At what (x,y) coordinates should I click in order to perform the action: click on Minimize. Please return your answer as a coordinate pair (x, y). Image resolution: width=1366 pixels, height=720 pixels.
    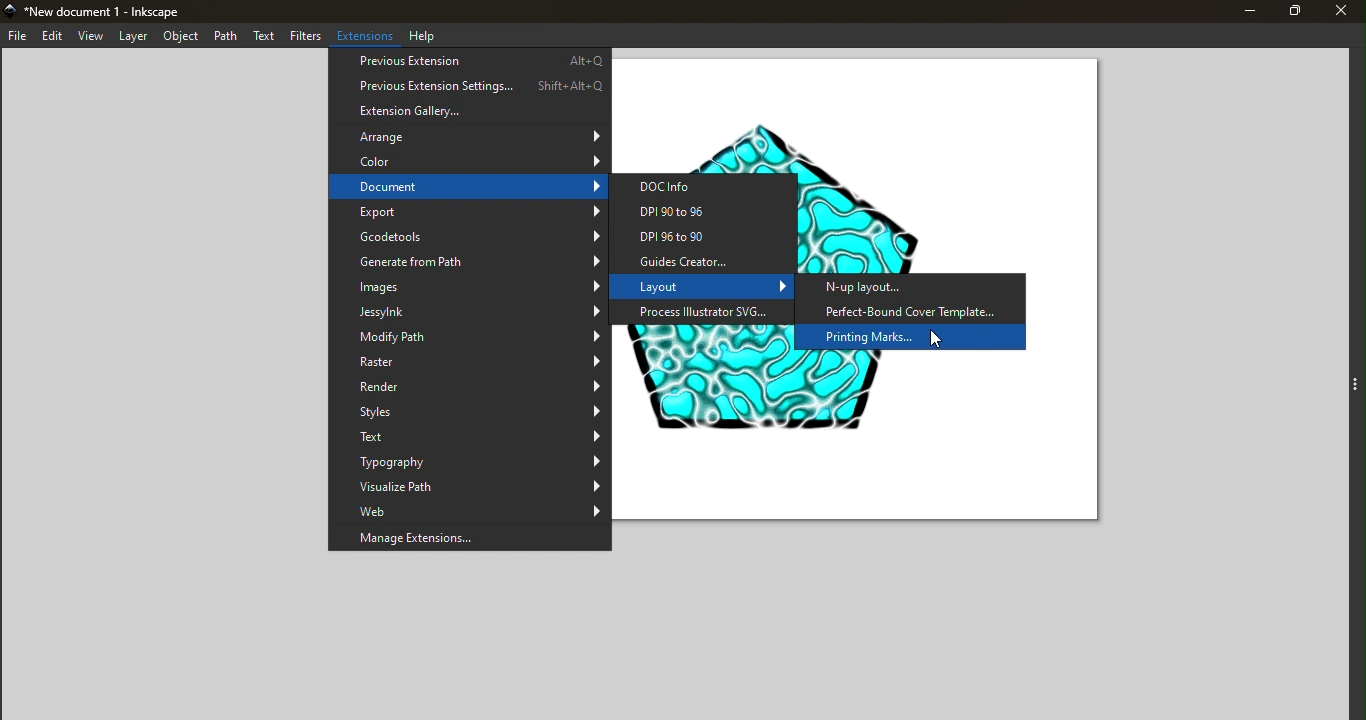
    Looking at the image, I should click on (1240, 12).